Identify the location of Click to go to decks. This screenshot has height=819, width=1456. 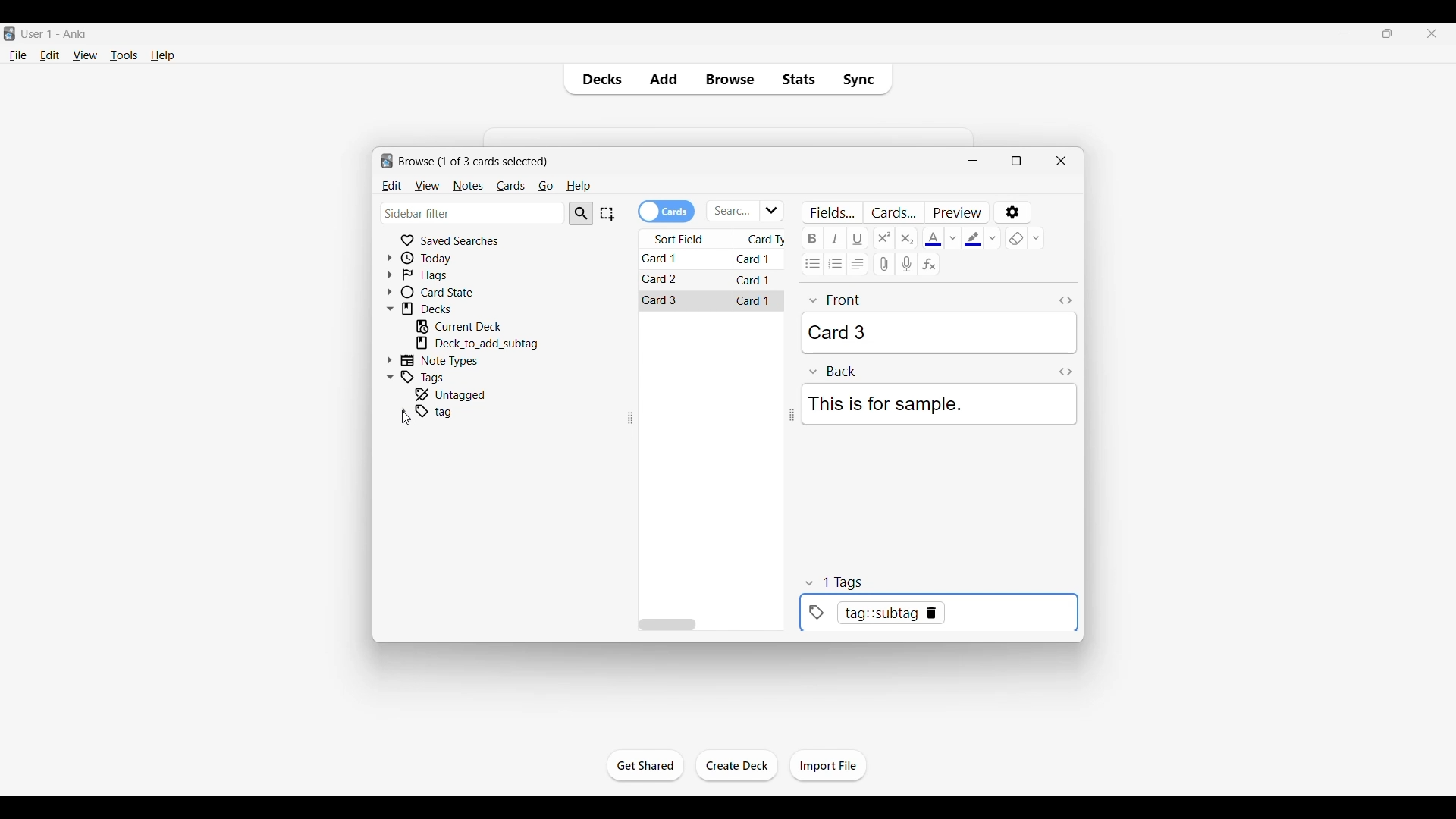
(450, 309).